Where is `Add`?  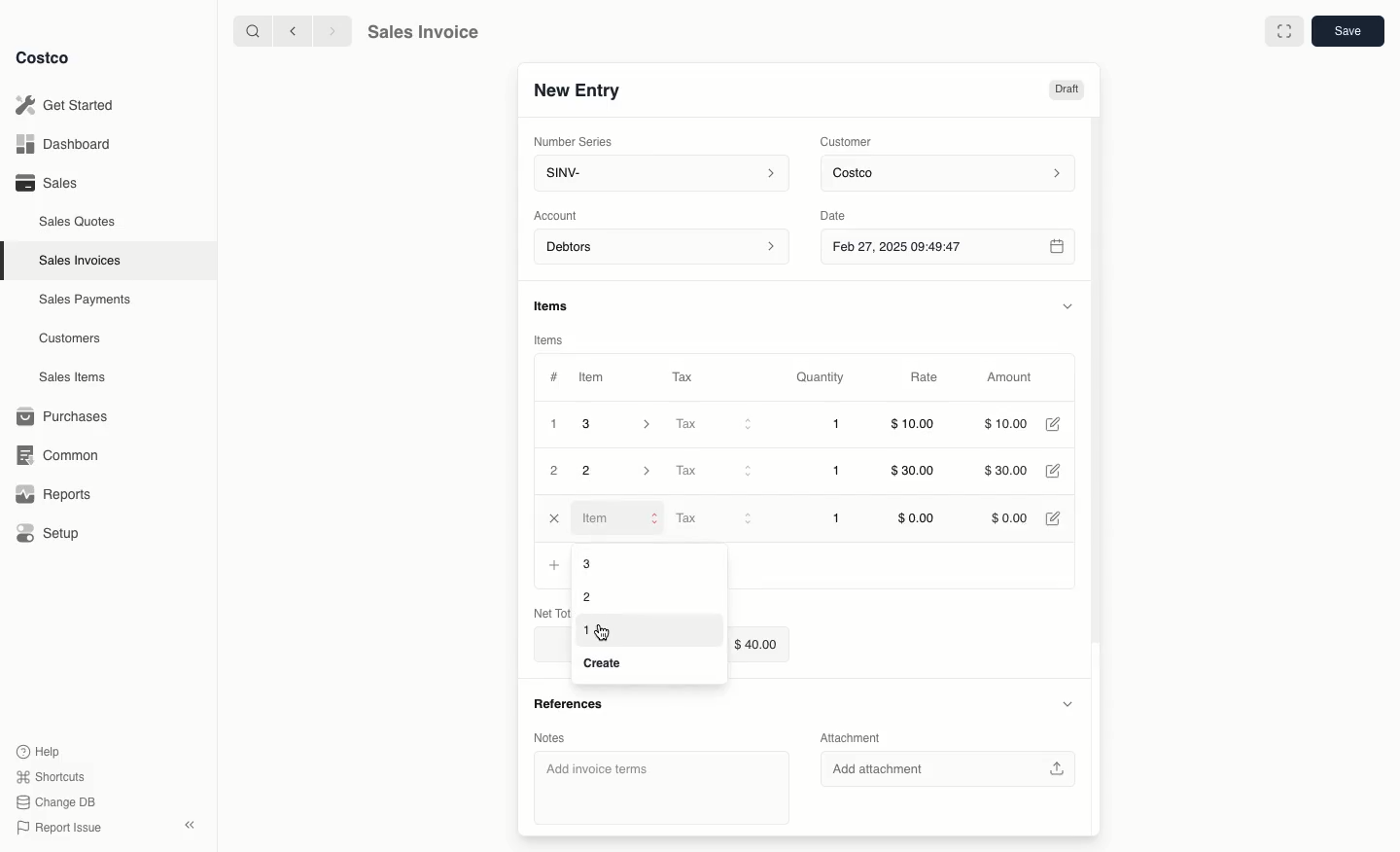 Add is located at coordinates (554, 564).